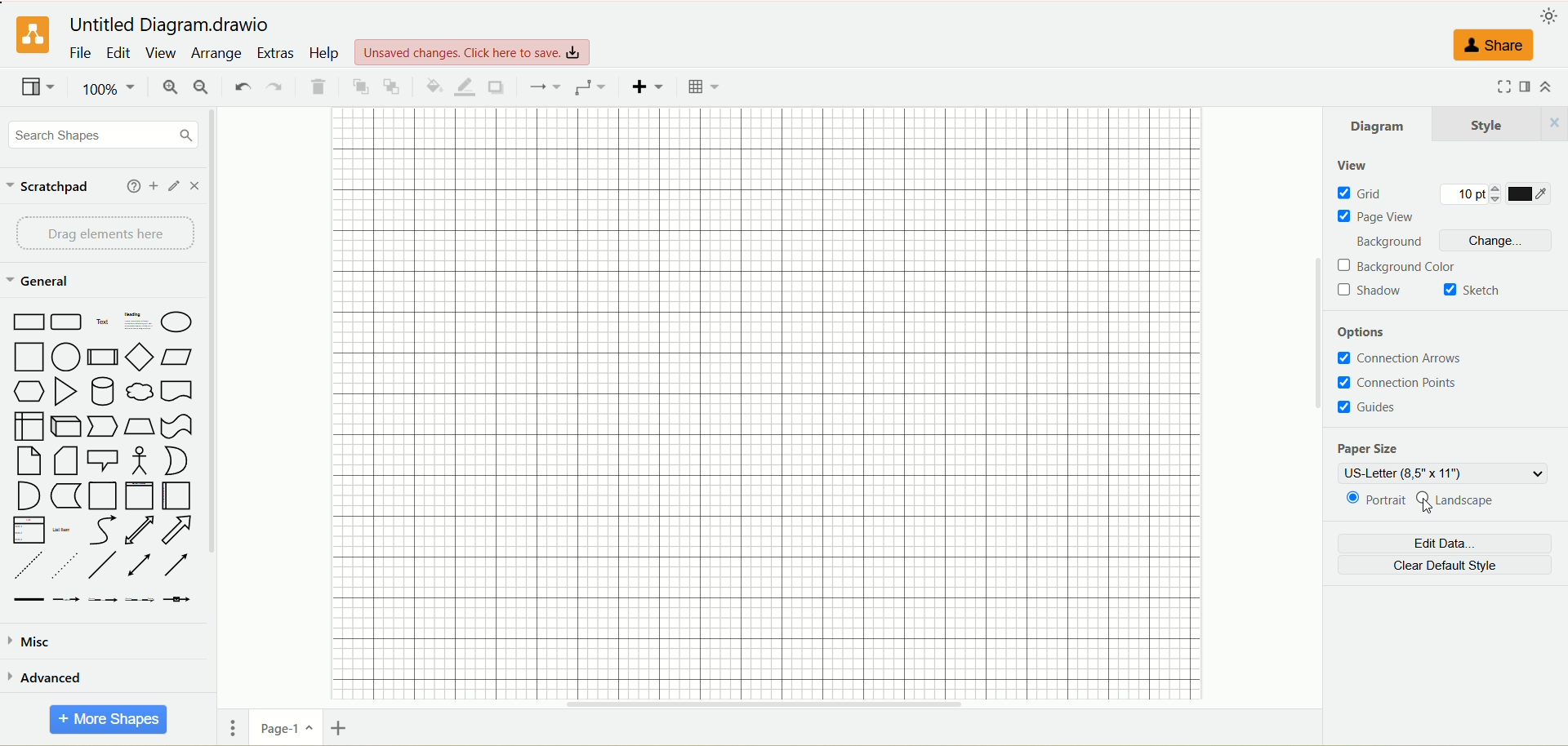 Image resolution: width=1568 pixels, height=746 pixels. What do you see at coordinates (214, 53) in the screenshot?
I see `arrange` at bounding box center [214, 53].